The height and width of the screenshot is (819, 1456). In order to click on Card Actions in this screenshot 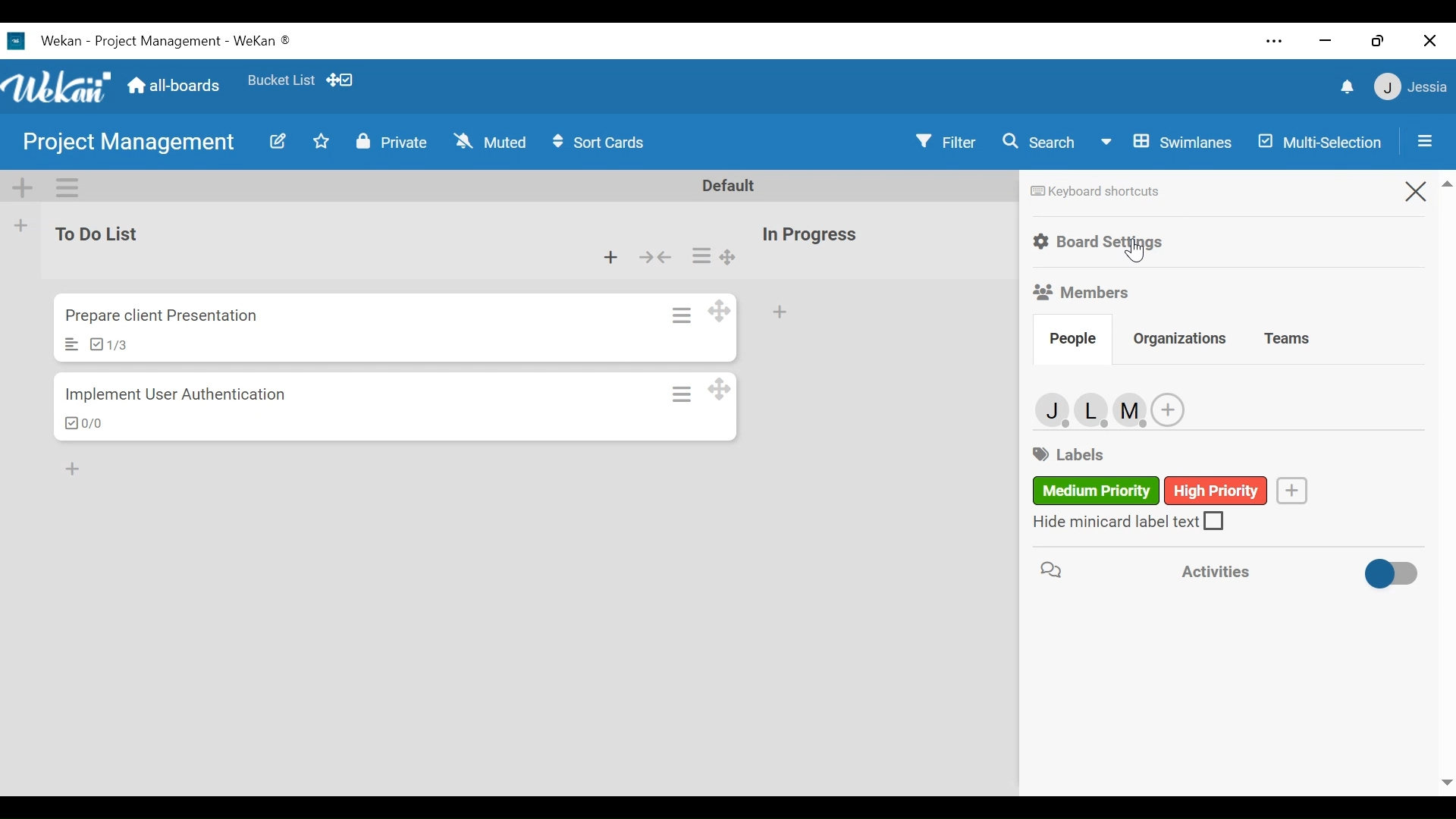, I will do `click(681, 314)`.